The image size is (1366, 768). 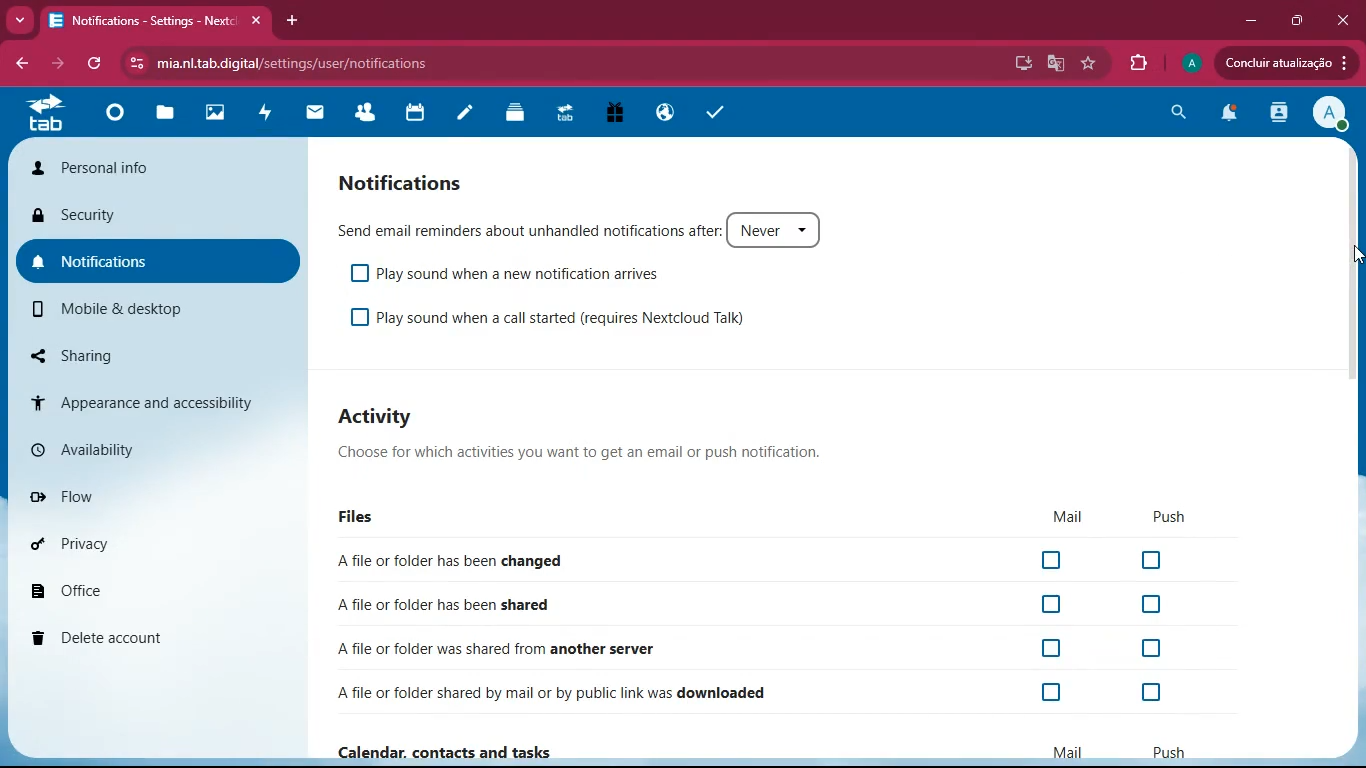 What do you see at coordinates (1055, 561) in the screenshot?
I see `Checkbox` at bounding box center [1055, 561].